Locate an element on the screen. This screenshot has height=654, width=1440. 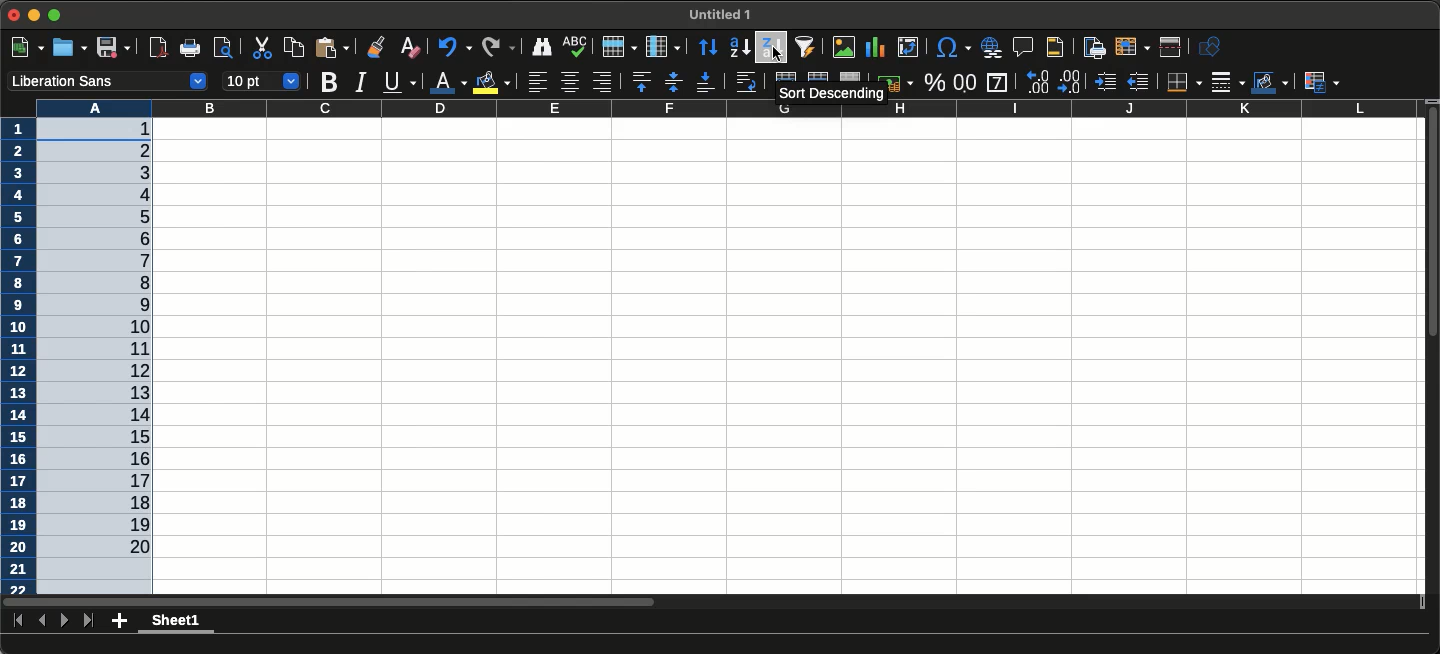
New is located at coordinates (27, 47).